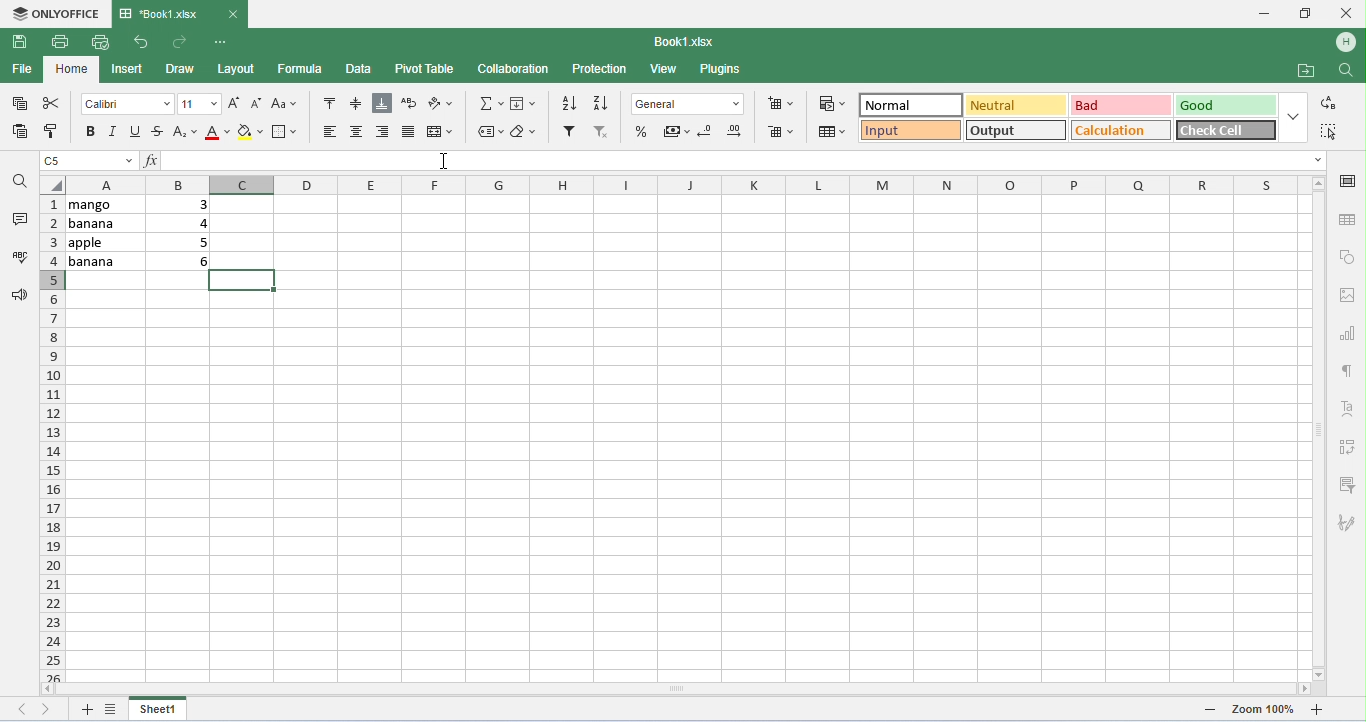 Image resolution: width=1366 pixels, height=722 pixels. I want to click on image settings, so click(1350, 297).